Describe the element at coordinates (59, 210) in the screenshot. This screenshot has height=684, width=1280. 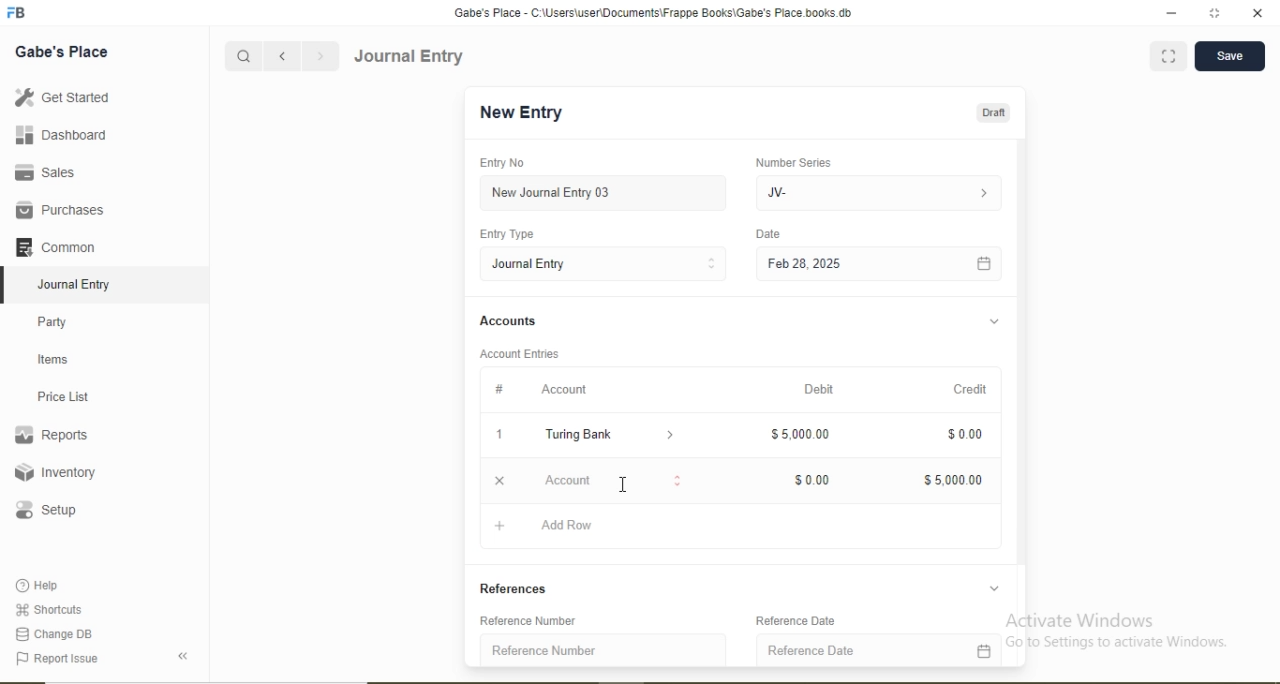
I see `Purchases` at that location.